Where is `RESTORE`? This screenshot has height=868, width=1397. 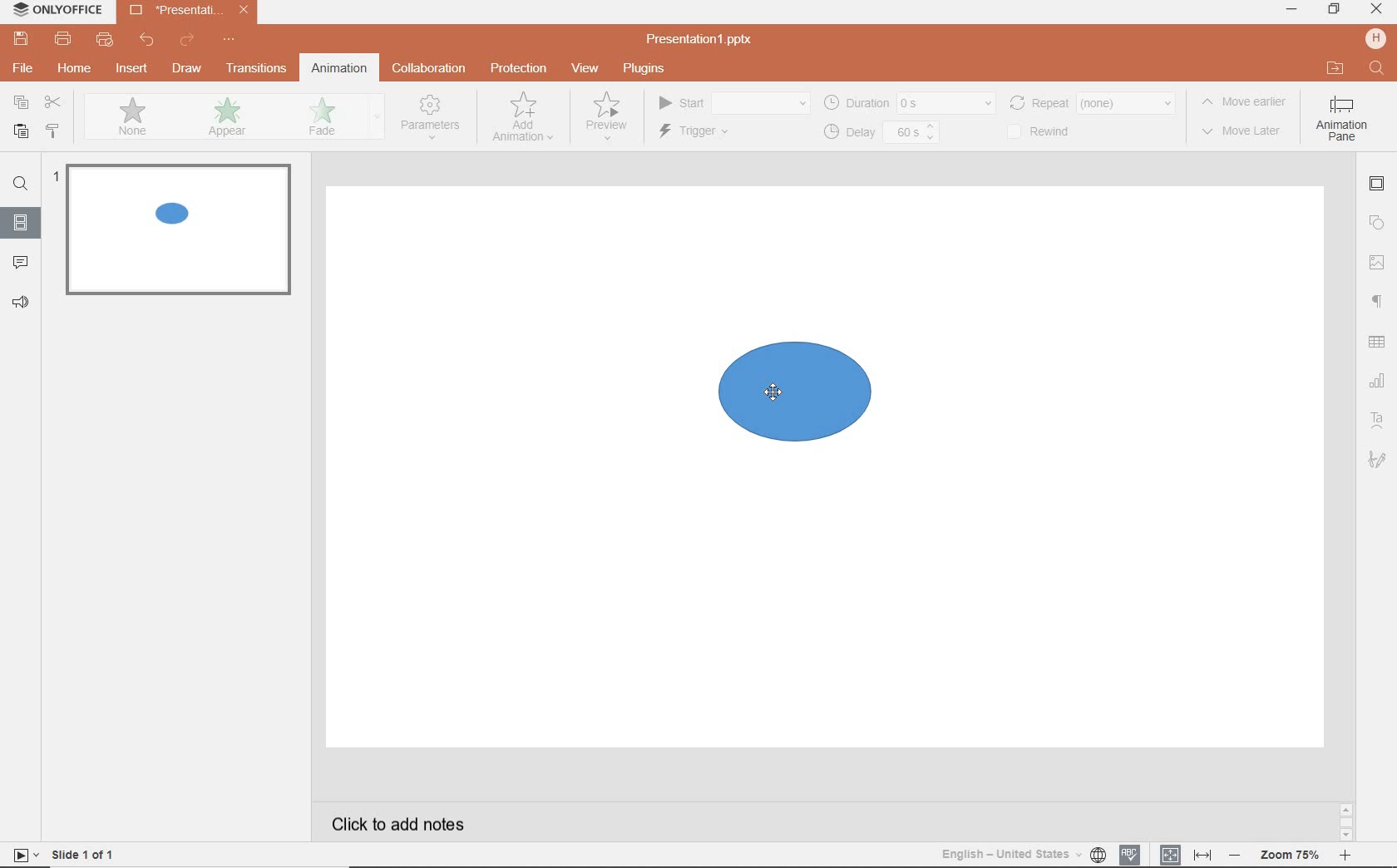
RESTORE is located at coordinates (1334, 10).